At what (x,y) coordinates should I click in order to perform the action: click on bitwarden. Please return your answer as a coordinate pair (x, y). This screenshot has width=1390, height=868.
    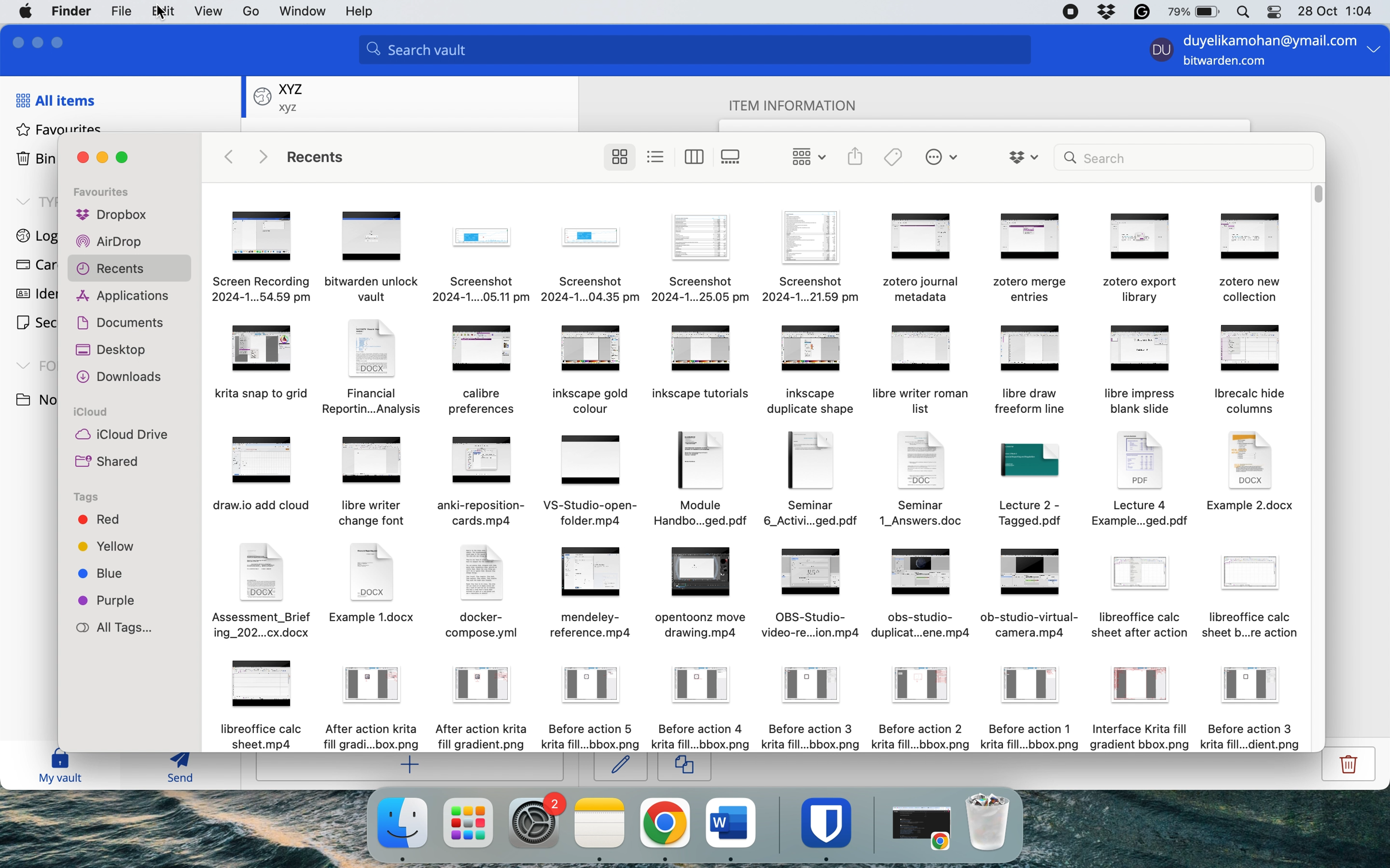
    Looking at the image, I should click on (830, 822).